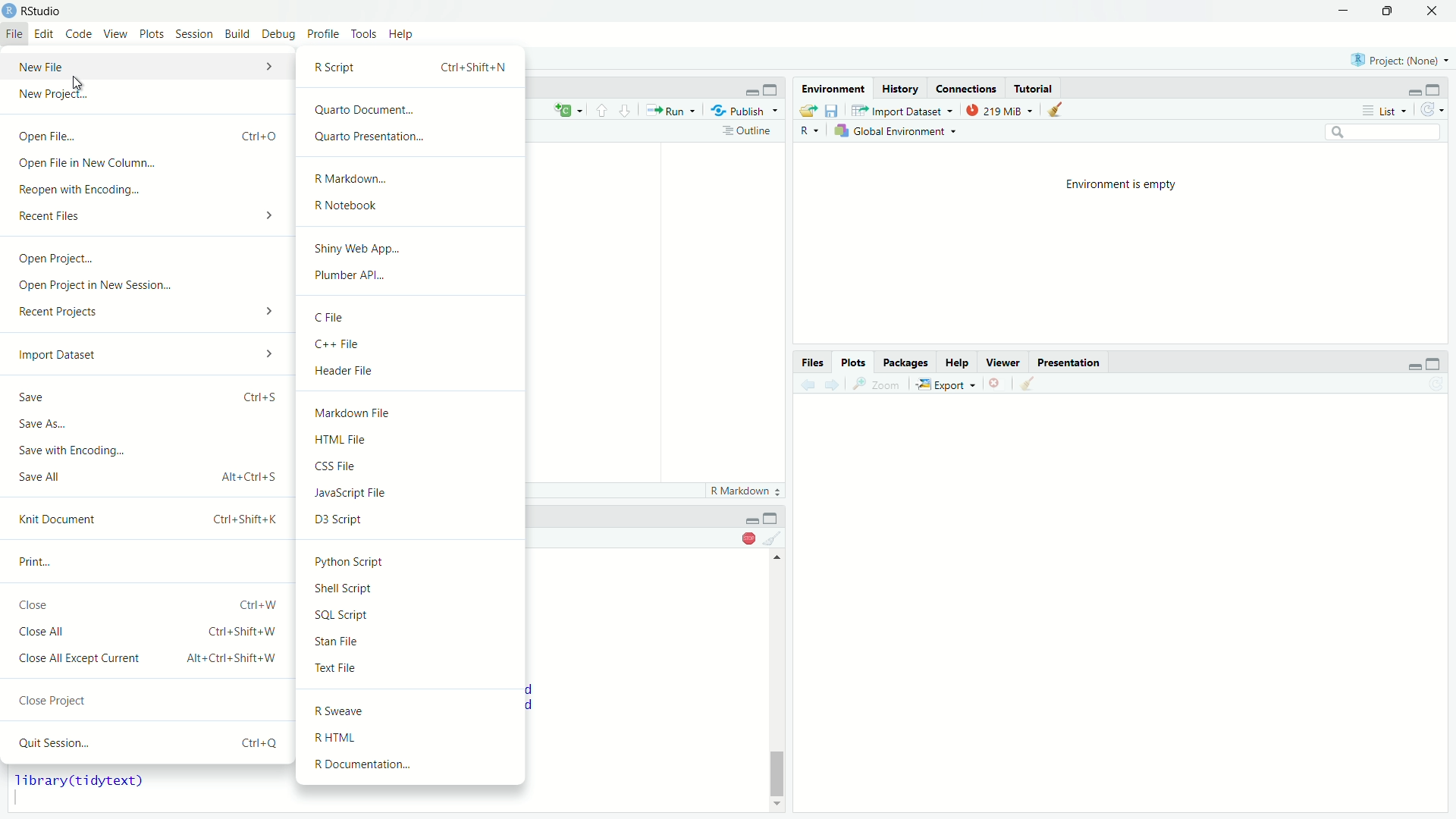 Image resolution: width=1456 pixels, height=819 pixels. I want to click on Close Project, so click(150, 697).